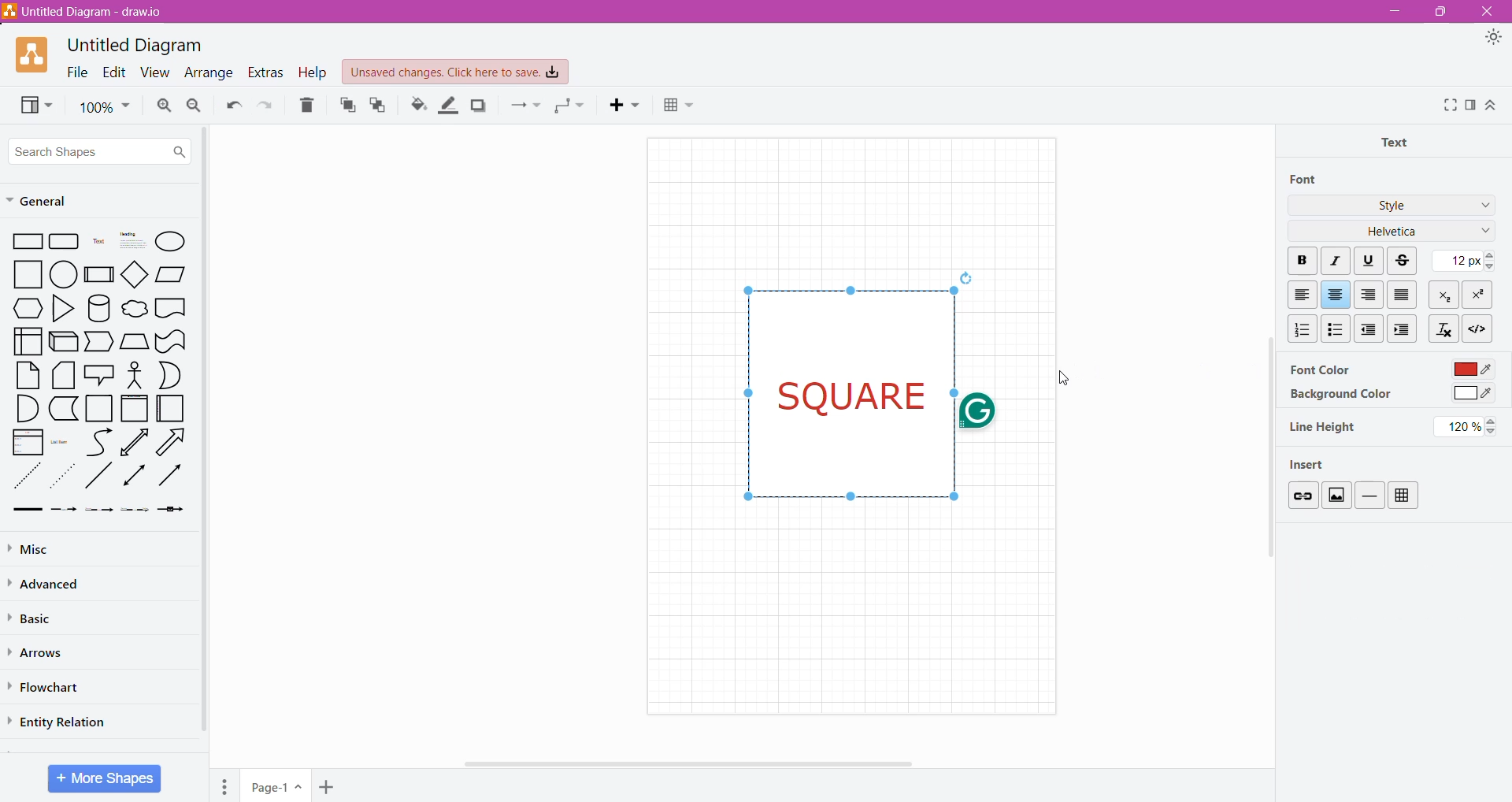  Describe the element at coordinates (1404, 496) in the screenshot. I see `Table` at that location.